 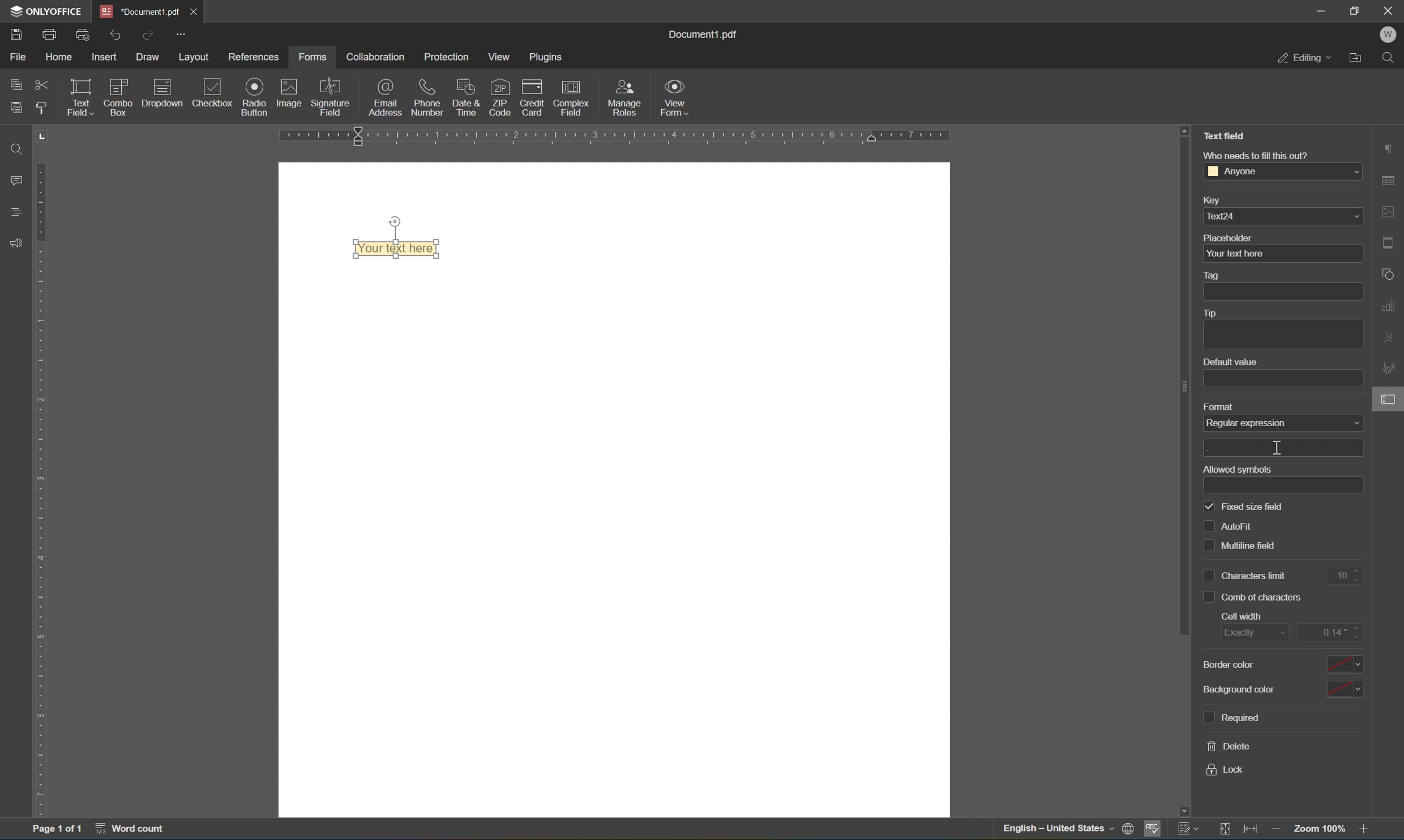 What do you see at coordinates (503, 57) in the screenshot?
I see `view` at bounding box center [503, 57].